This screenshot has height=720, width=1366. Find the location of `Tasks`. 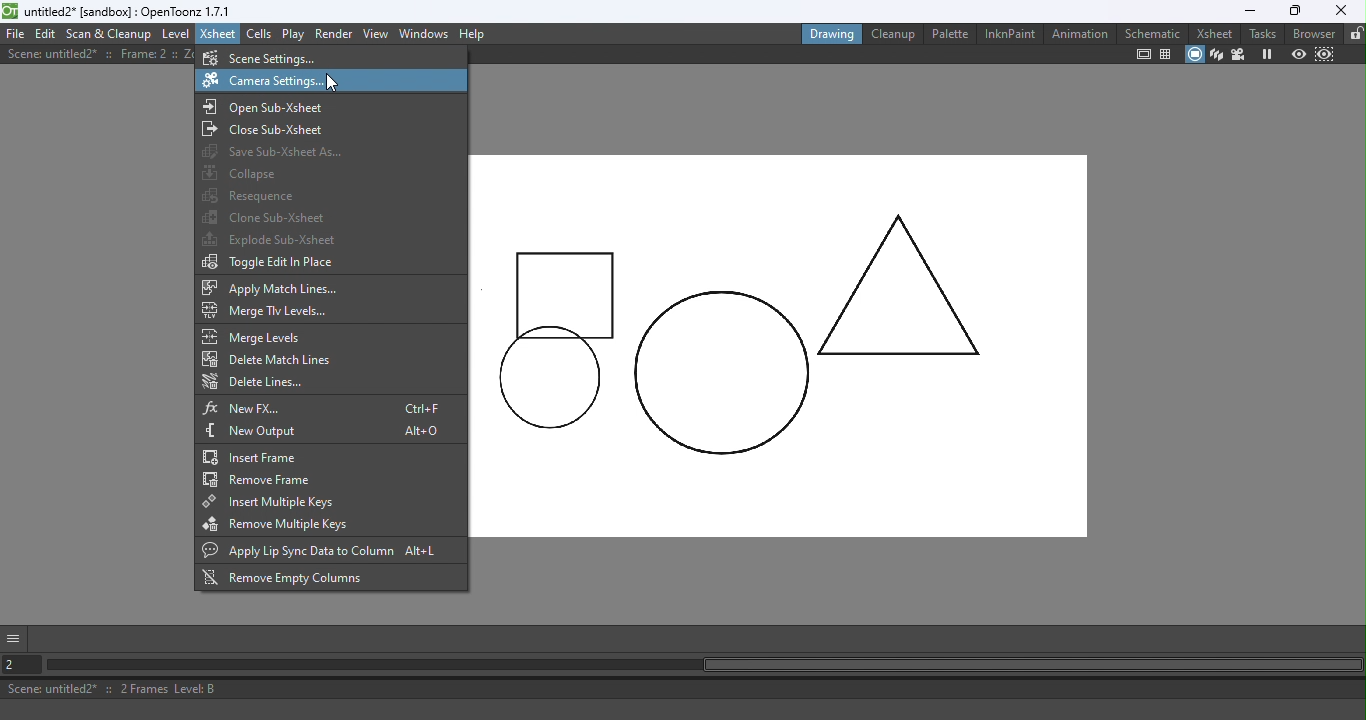

Tasks is located at coordinates (1261, 34).